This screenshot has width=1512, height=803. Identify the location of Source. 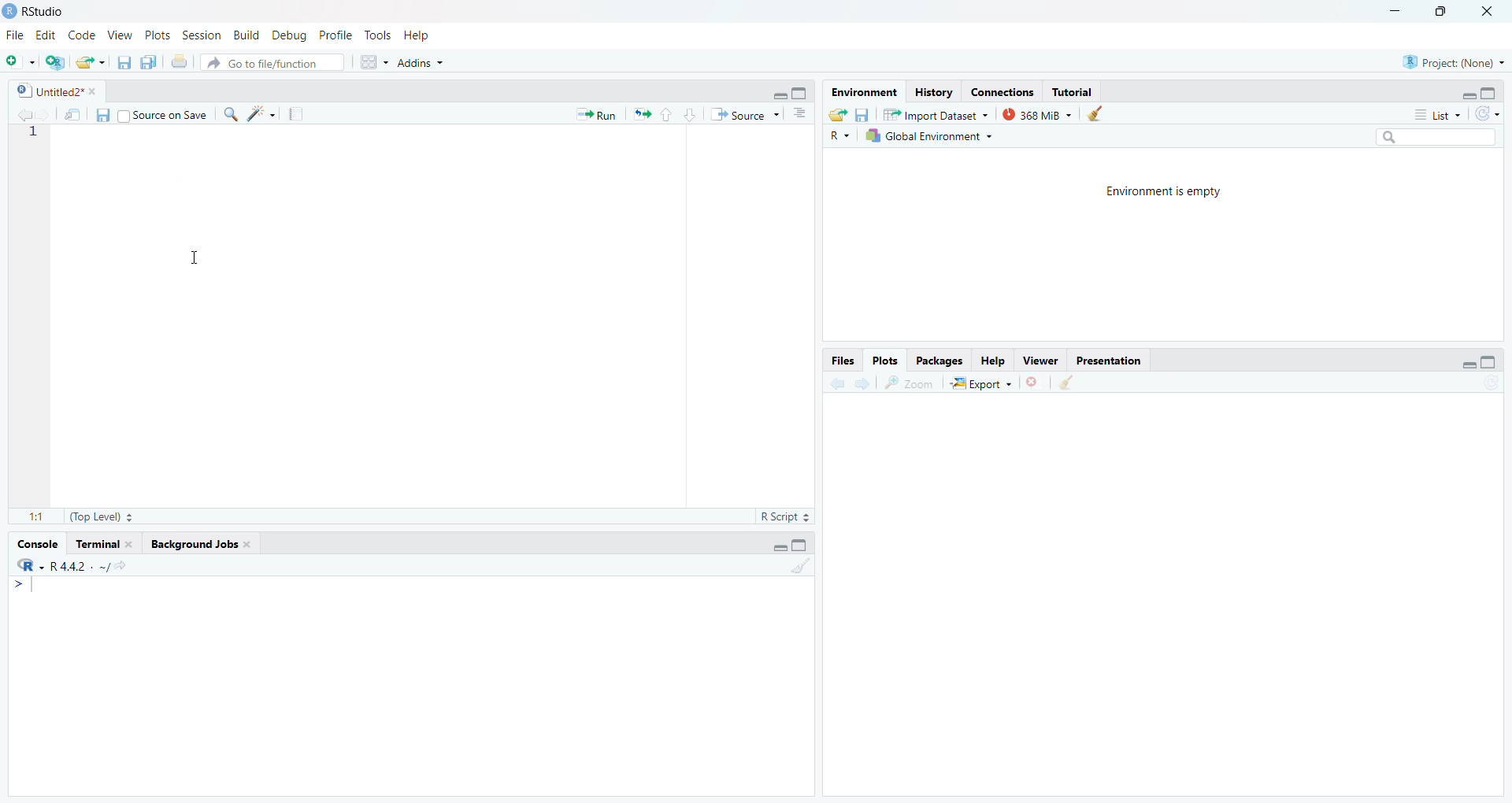
(740, 115).